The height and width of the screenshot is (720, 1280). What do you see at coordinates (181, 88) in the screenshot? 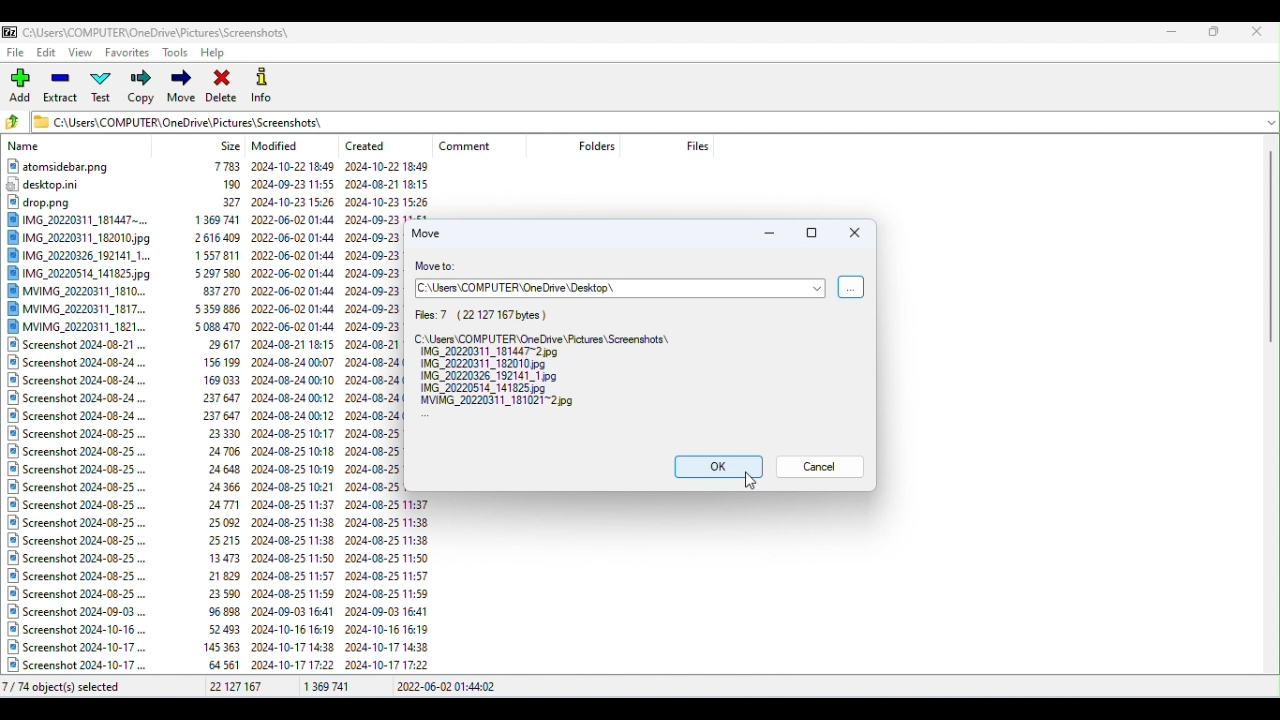
I see `Move` at bounding box center [181, 88].